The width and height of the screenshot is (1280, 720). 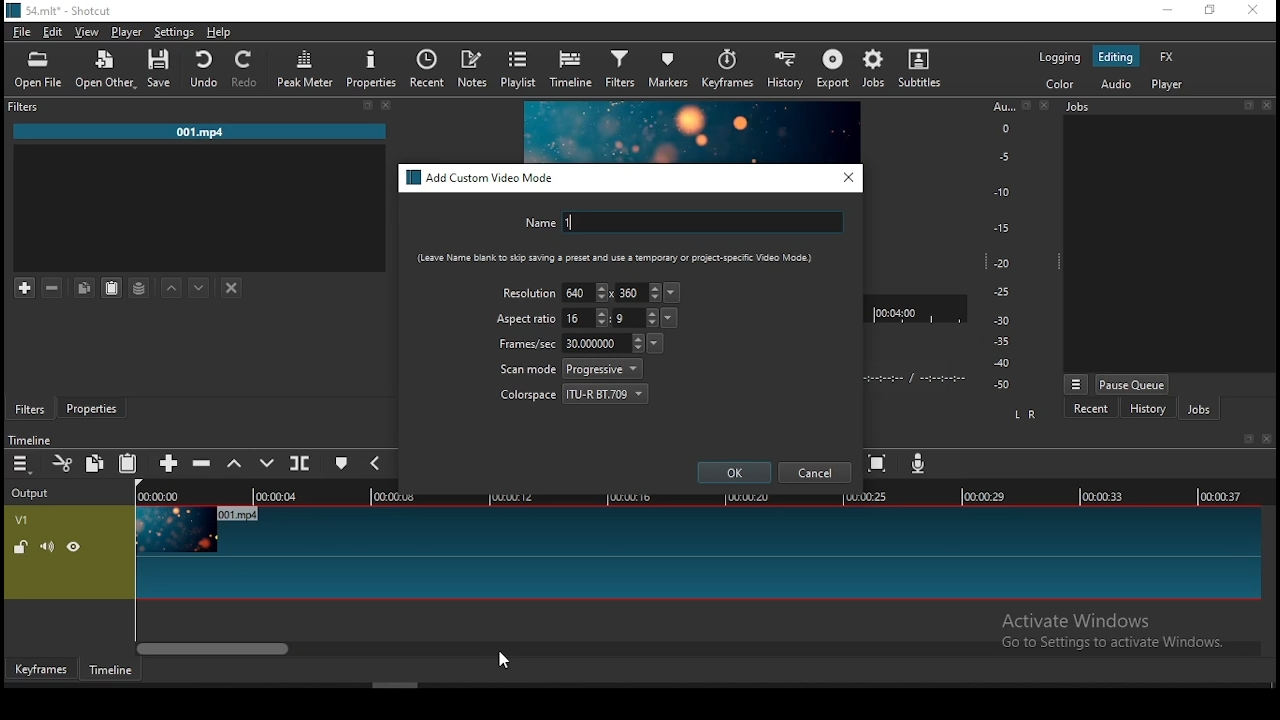 What do you see at coordinates (515, 496) in the screenshot?
I see `00:00:12` at bounding box center [515, 496].